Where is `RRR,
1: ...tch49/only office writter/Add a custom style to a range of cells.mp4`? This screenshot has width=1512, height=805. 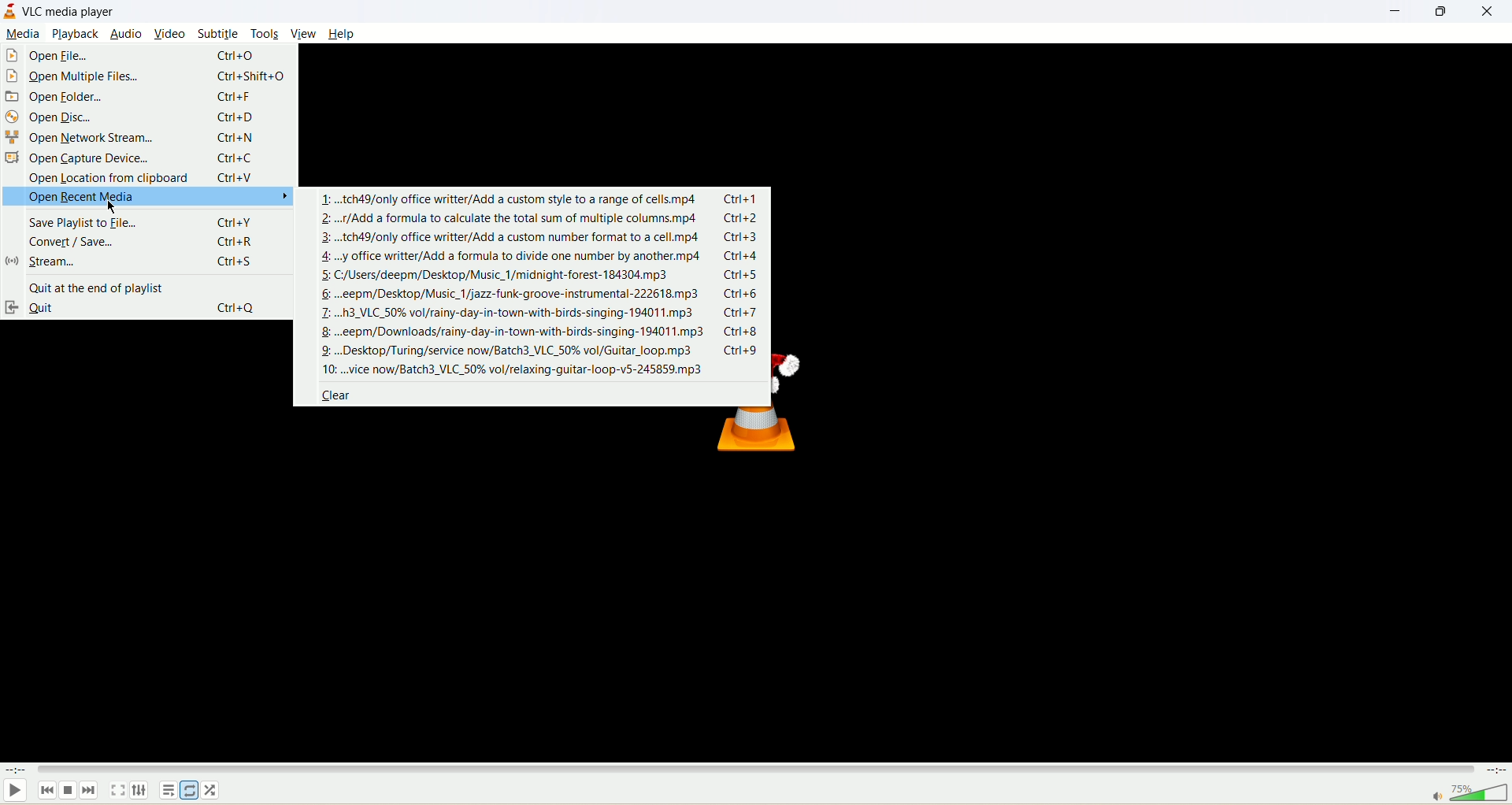 RRR,
1: ...tch49/only office writter/Add a custom style to a range of cells.mp4 is located at coordinates (510, 198).